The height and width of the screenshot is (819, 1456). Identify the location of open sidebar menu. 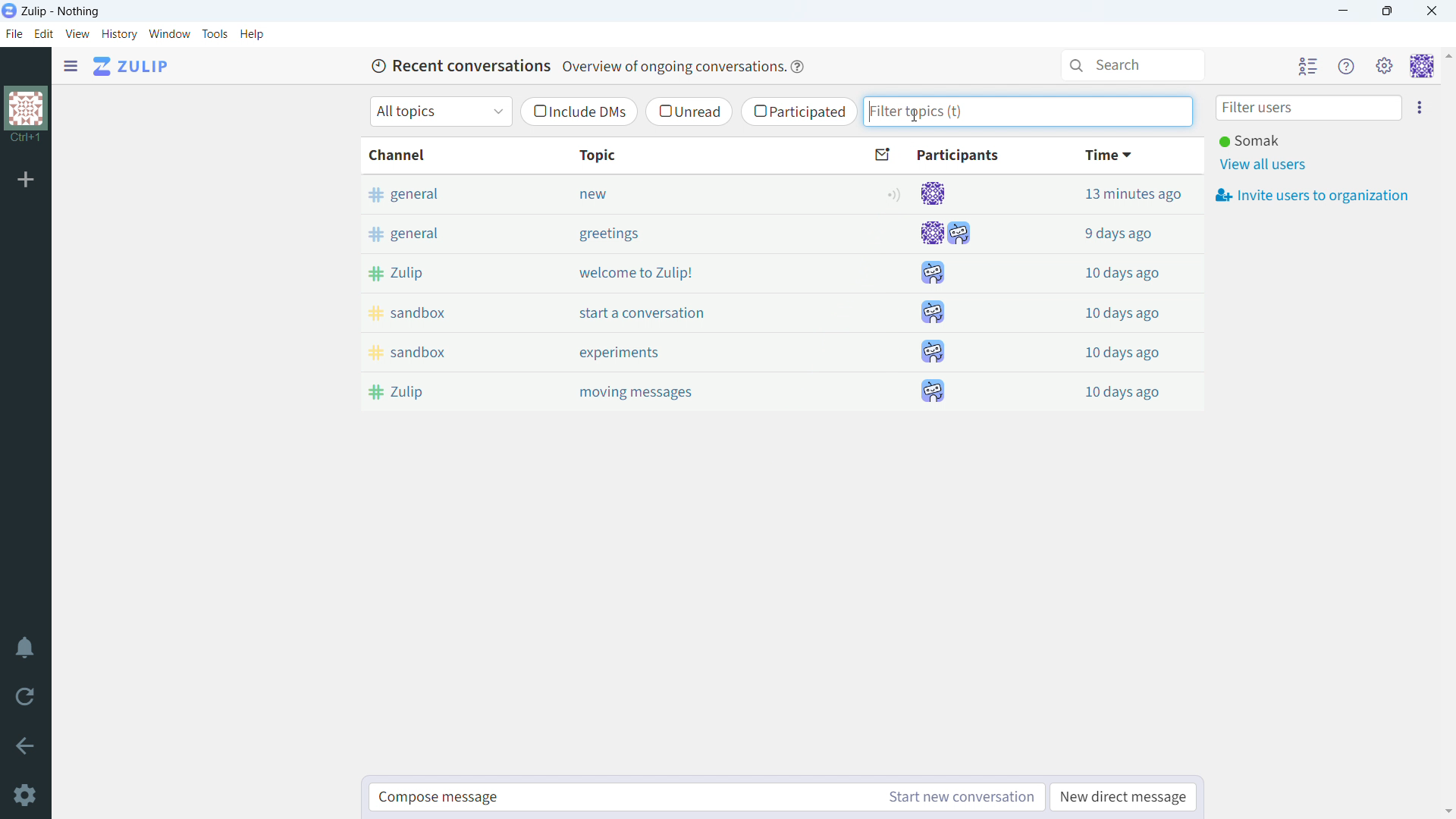
(71, 67).